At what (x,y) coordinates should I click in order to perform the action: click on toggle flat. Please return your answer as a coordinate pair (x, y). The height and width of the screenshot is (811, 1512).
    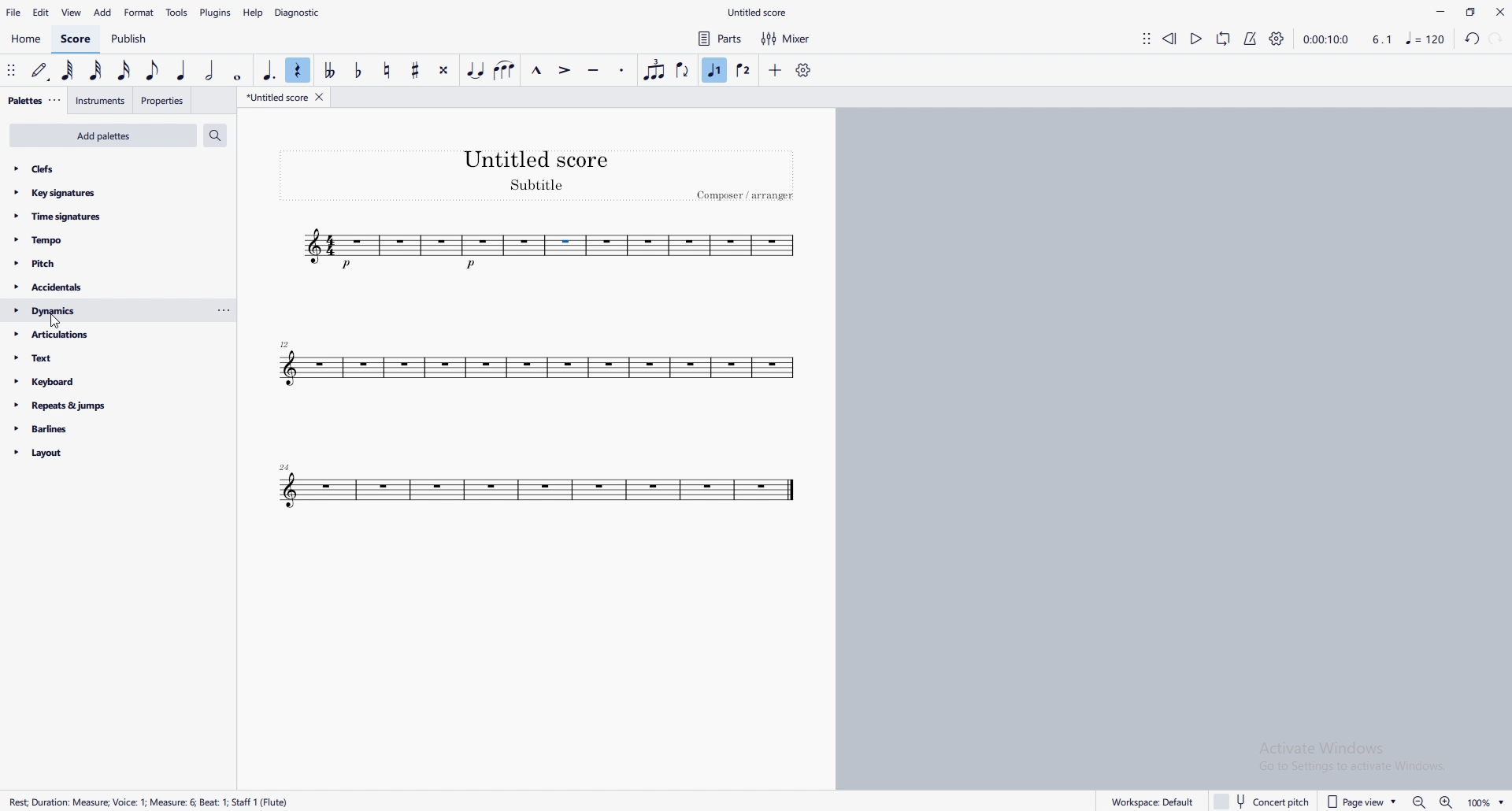
    Looking at the image, I should click on (361, 70).